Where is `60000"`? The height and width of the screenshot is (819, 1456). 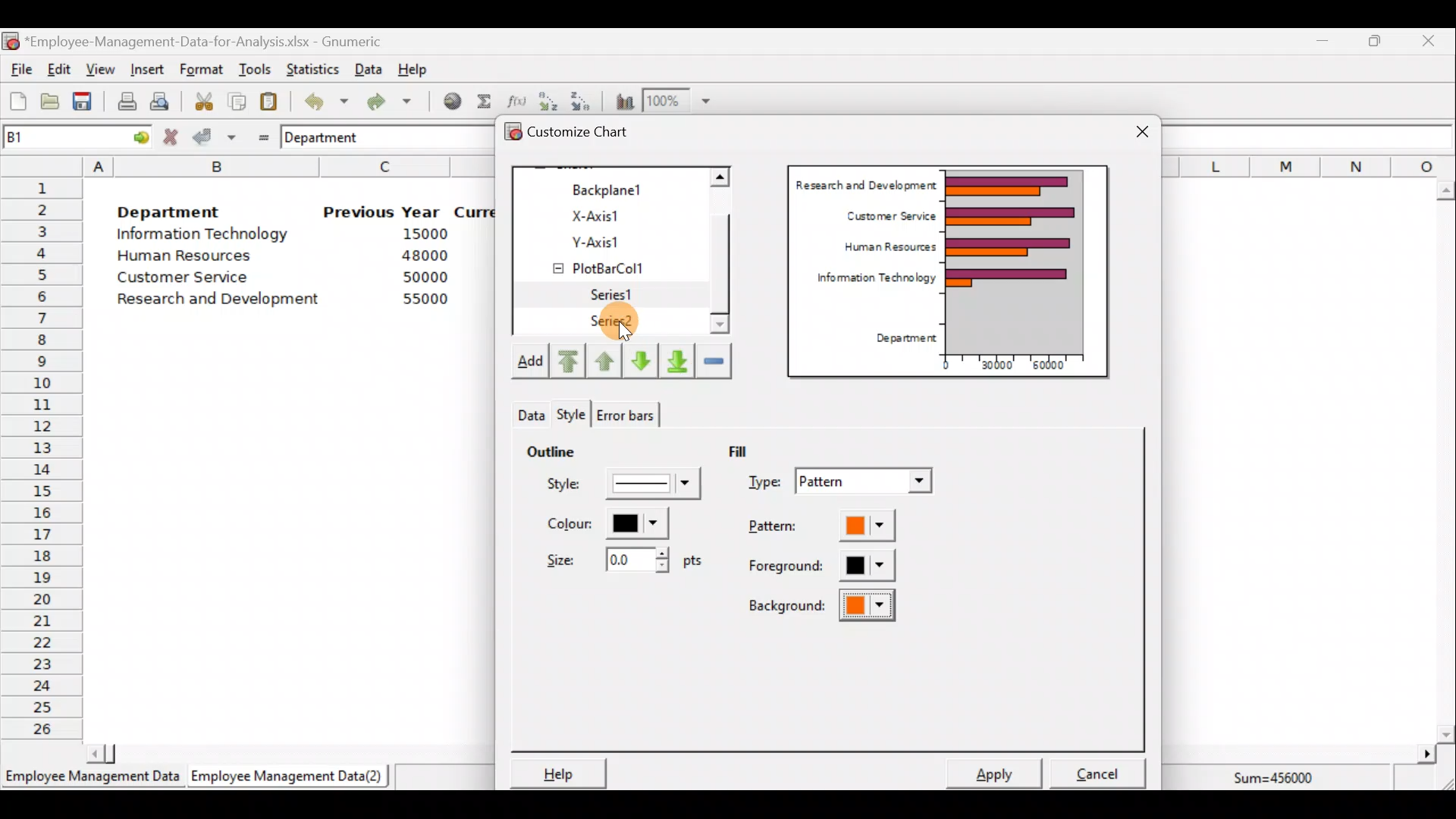 60000" is located at coordinates (1057, 367).